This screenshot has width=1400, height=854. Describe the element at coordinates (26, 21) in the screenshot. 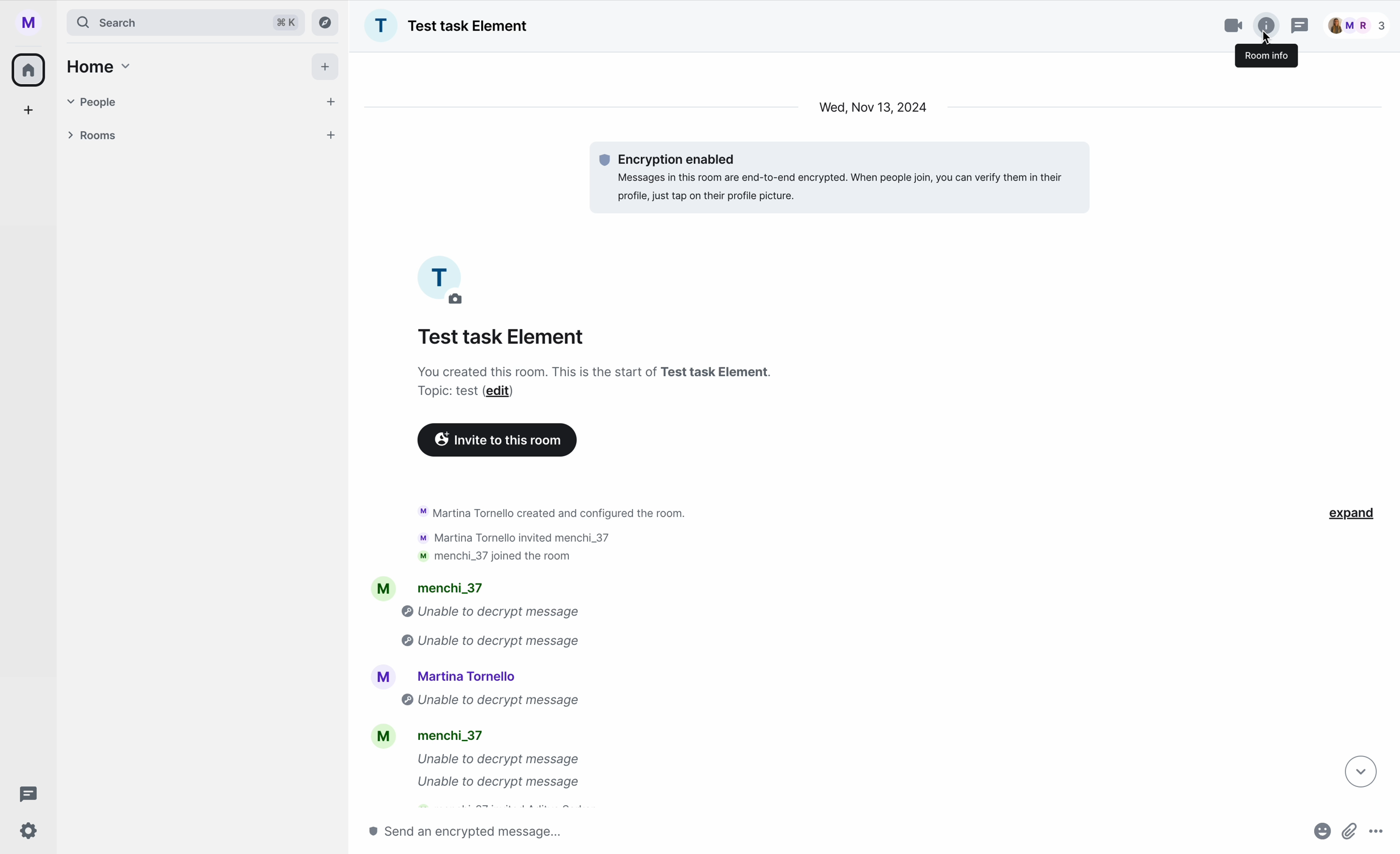

I see `profile` at that location.